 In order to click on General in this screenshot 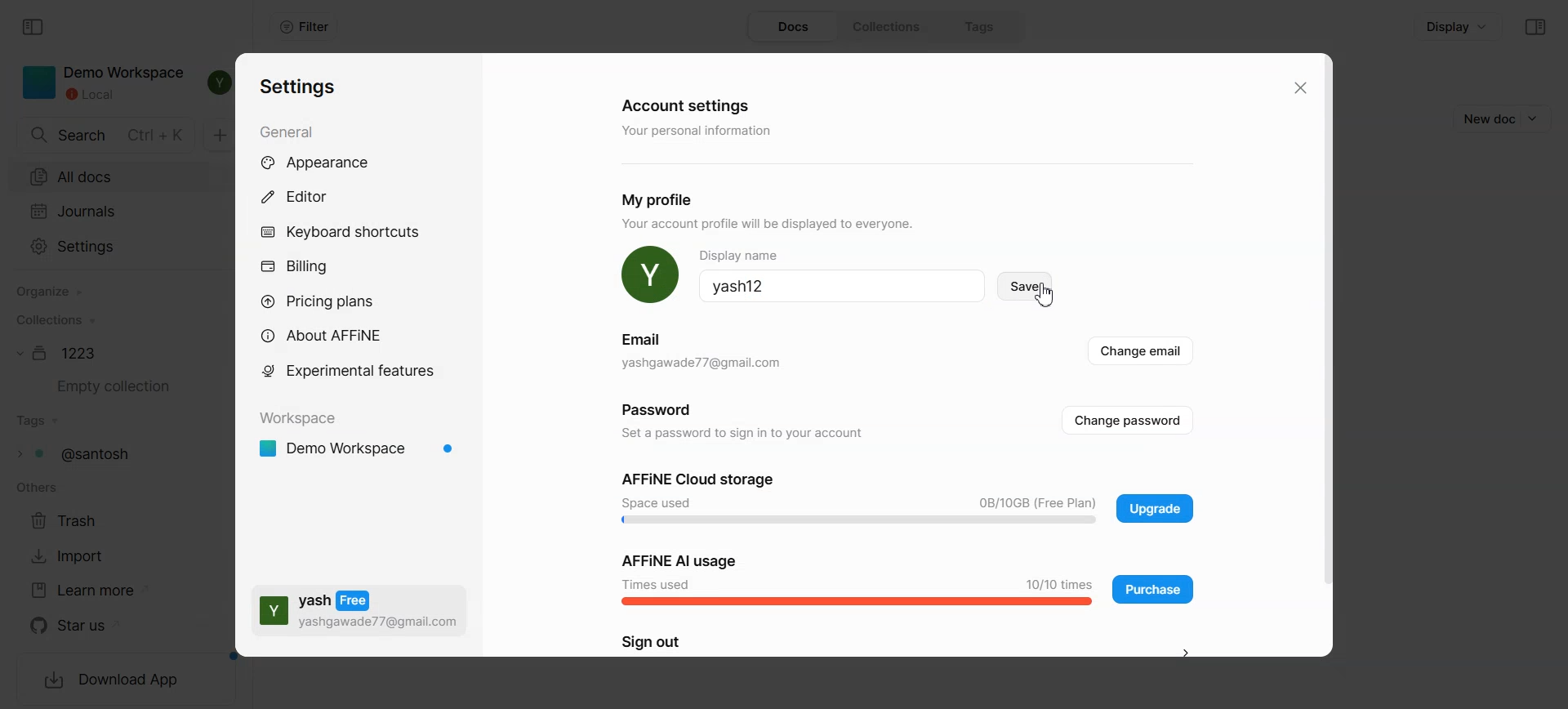, I will do `click(292, 131)`.